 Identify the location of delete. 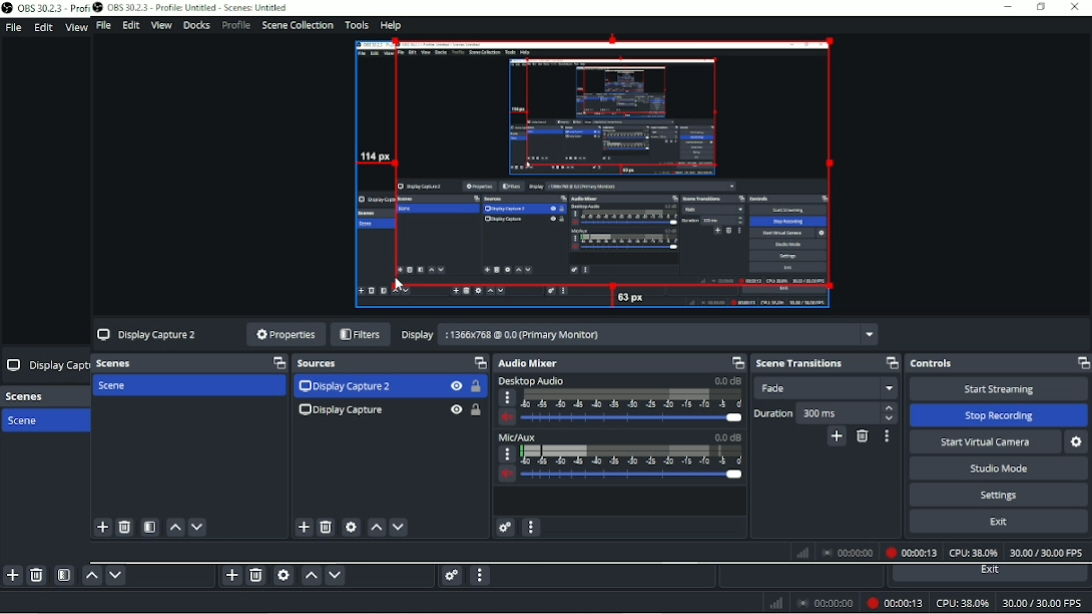
(327, 527).